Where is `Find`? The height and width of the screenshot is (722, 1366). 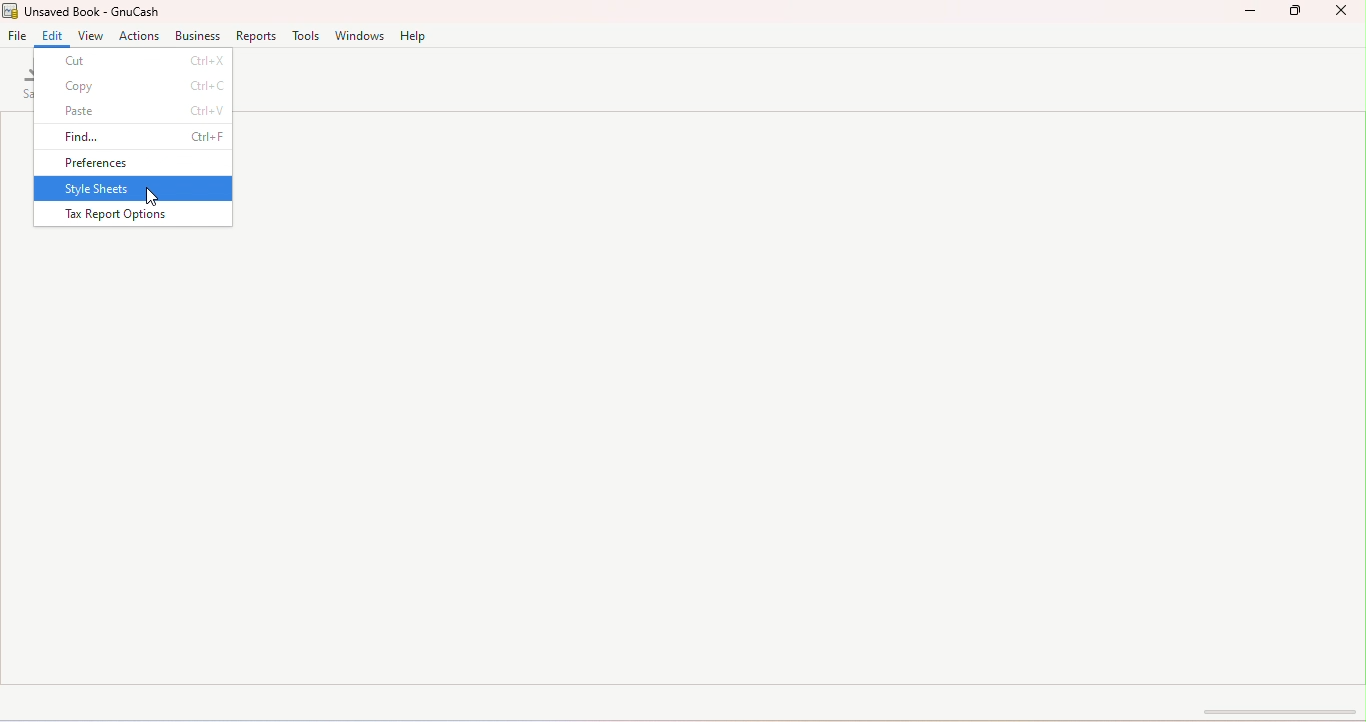
Find is located at coordinates (135, 138).